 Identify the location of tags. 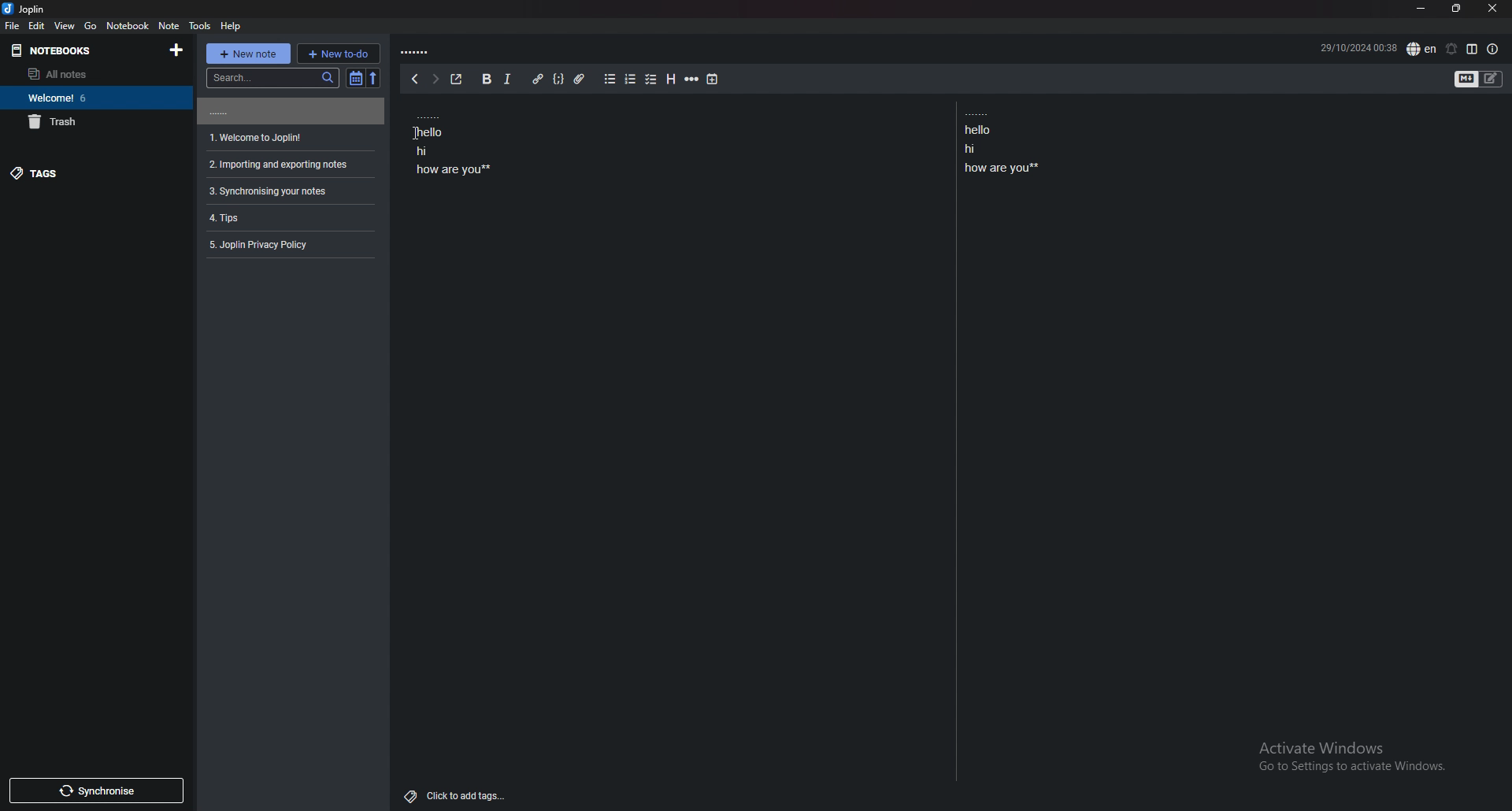
(91, 174).